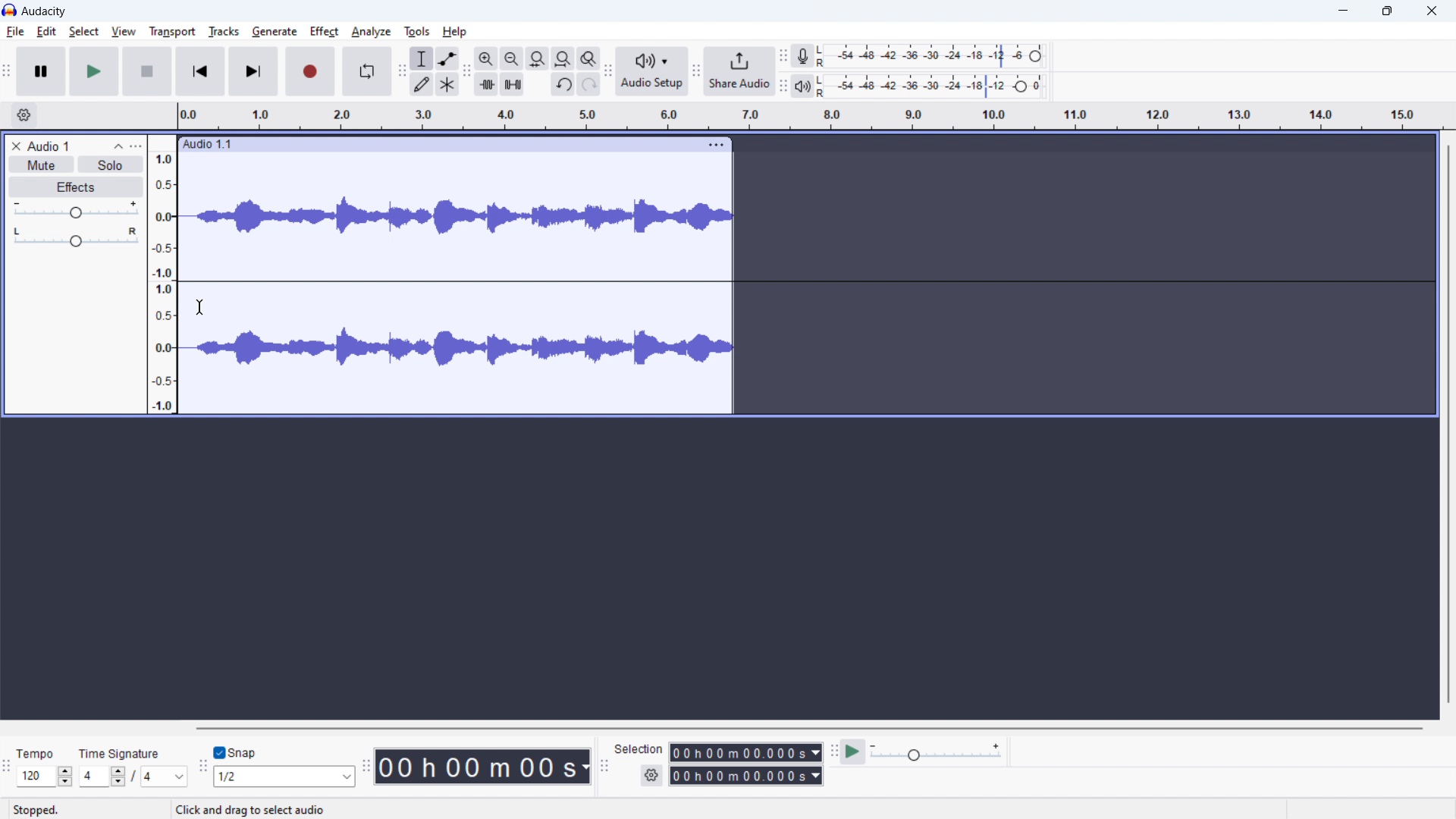  Describe the element at coordinates (486, 58) in the screenshot. I see `zoom in` at that location.